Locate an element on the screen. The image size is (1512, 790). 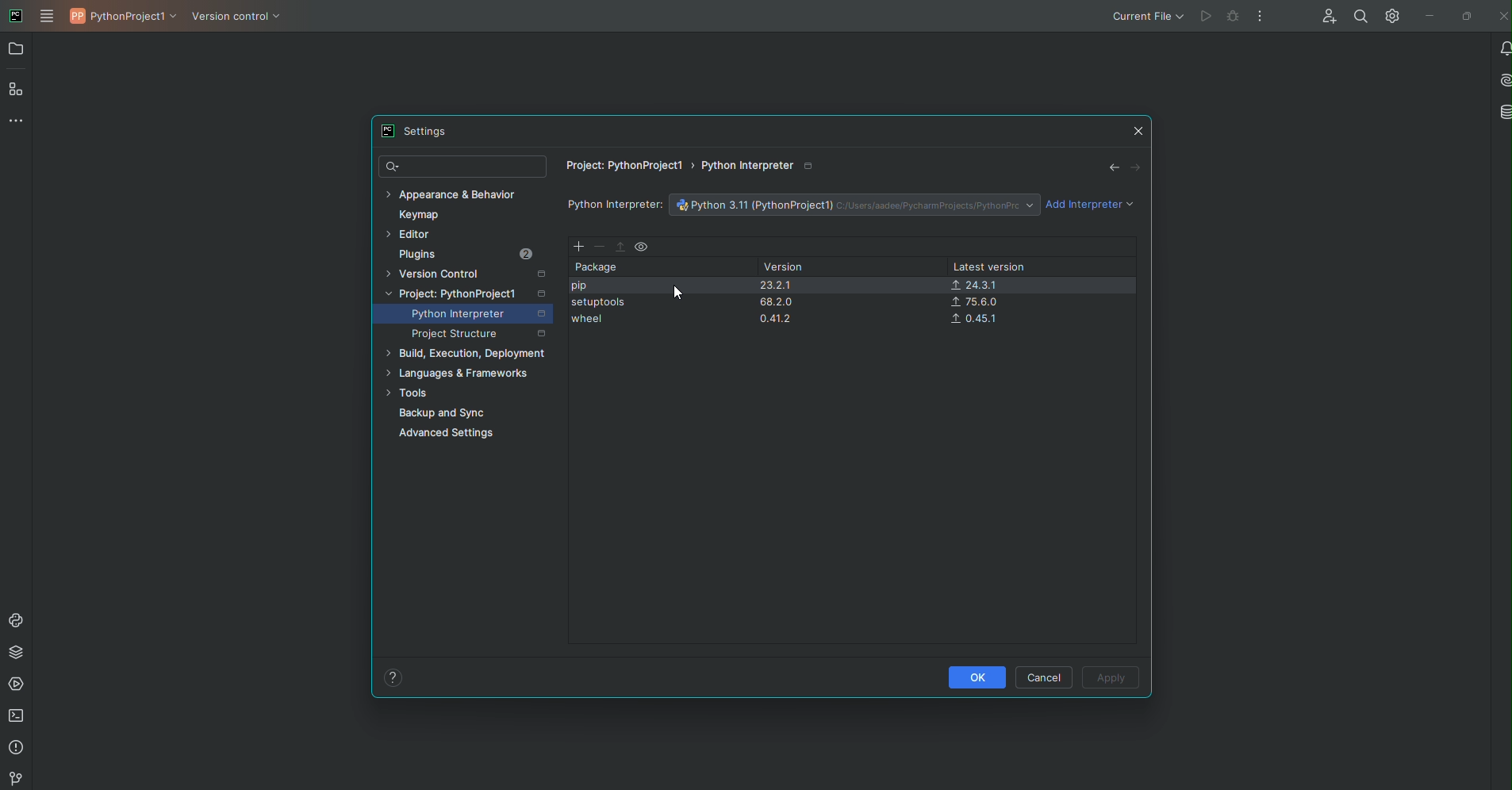
Settings is located at coordinates (412, 131).